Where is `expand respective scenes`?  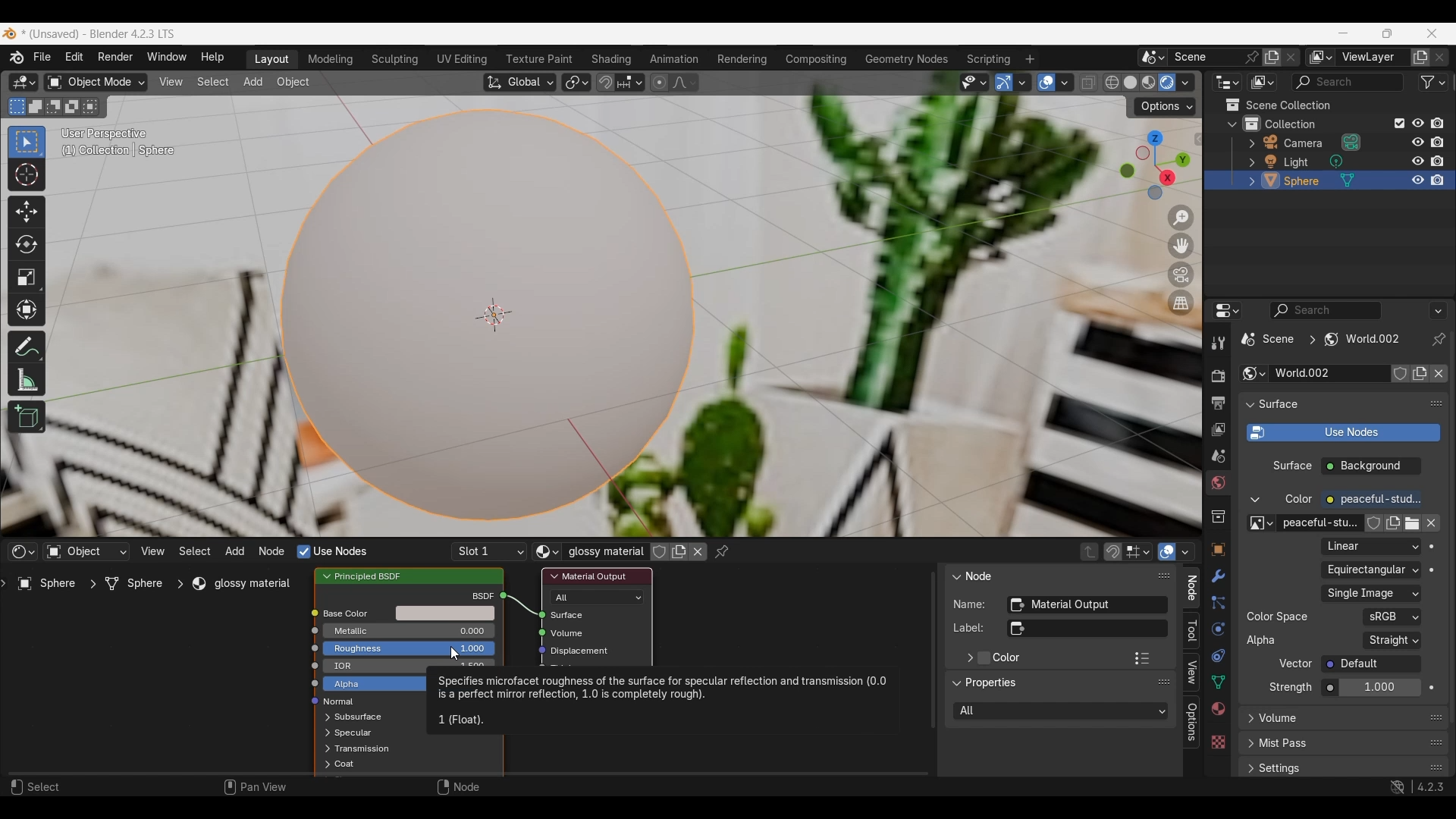
expand respective scenes is located at coordinates (1246, 745).